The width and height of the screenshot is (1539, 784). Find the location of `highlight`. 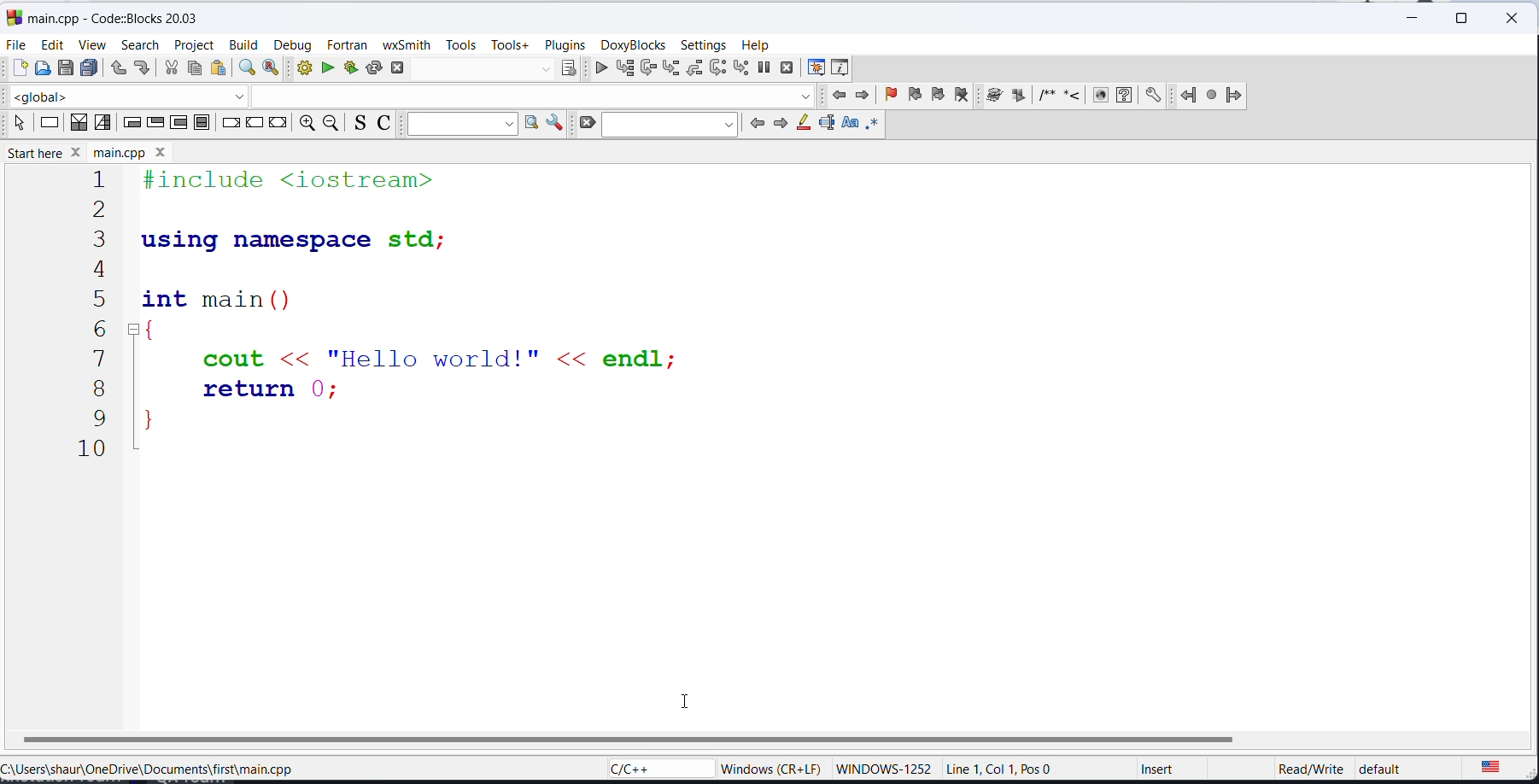

highlight is located at coordinates (803, 126).